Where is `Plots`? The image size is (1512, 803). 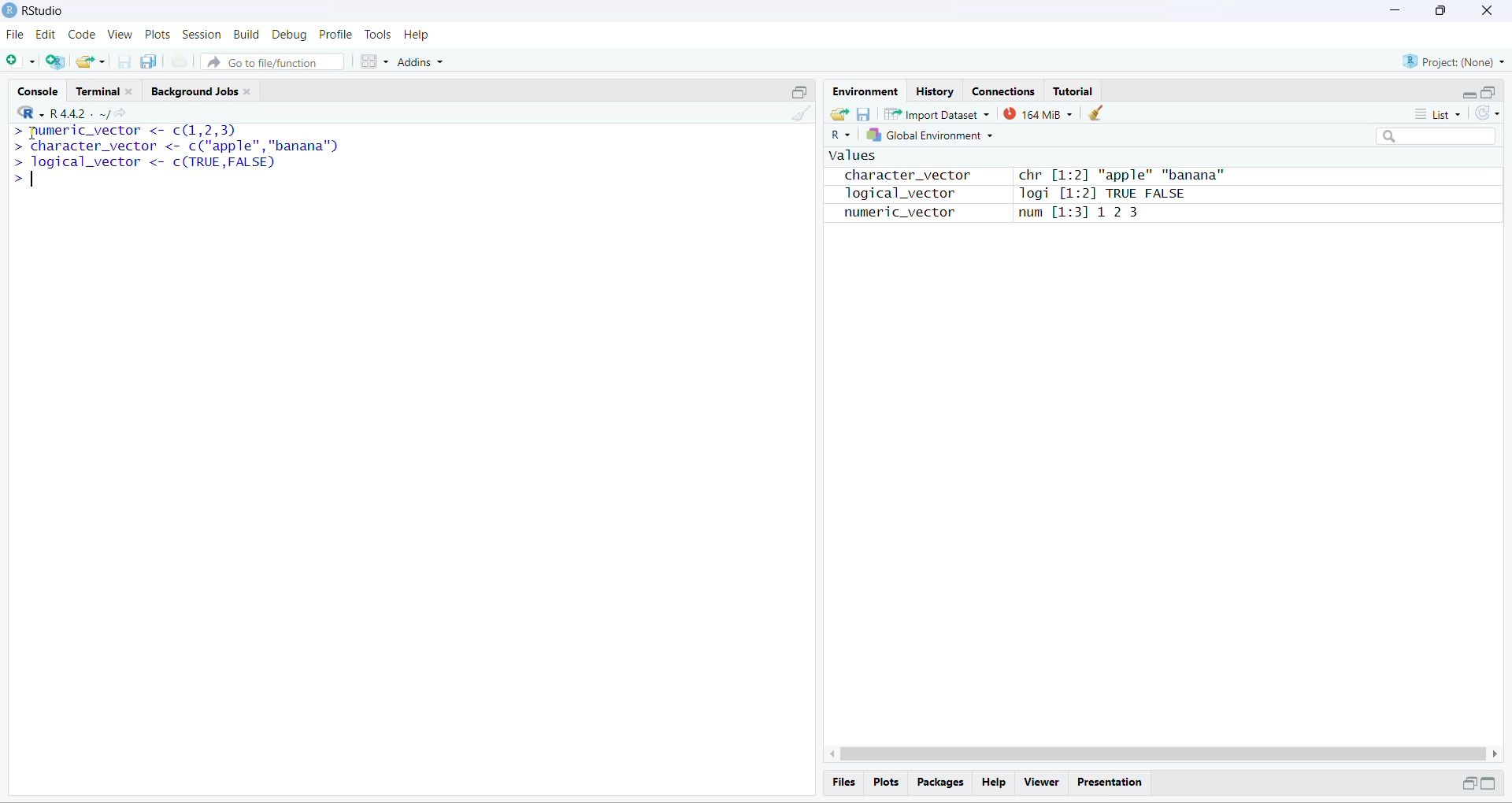 Plots is located at coordinates (884, 781).